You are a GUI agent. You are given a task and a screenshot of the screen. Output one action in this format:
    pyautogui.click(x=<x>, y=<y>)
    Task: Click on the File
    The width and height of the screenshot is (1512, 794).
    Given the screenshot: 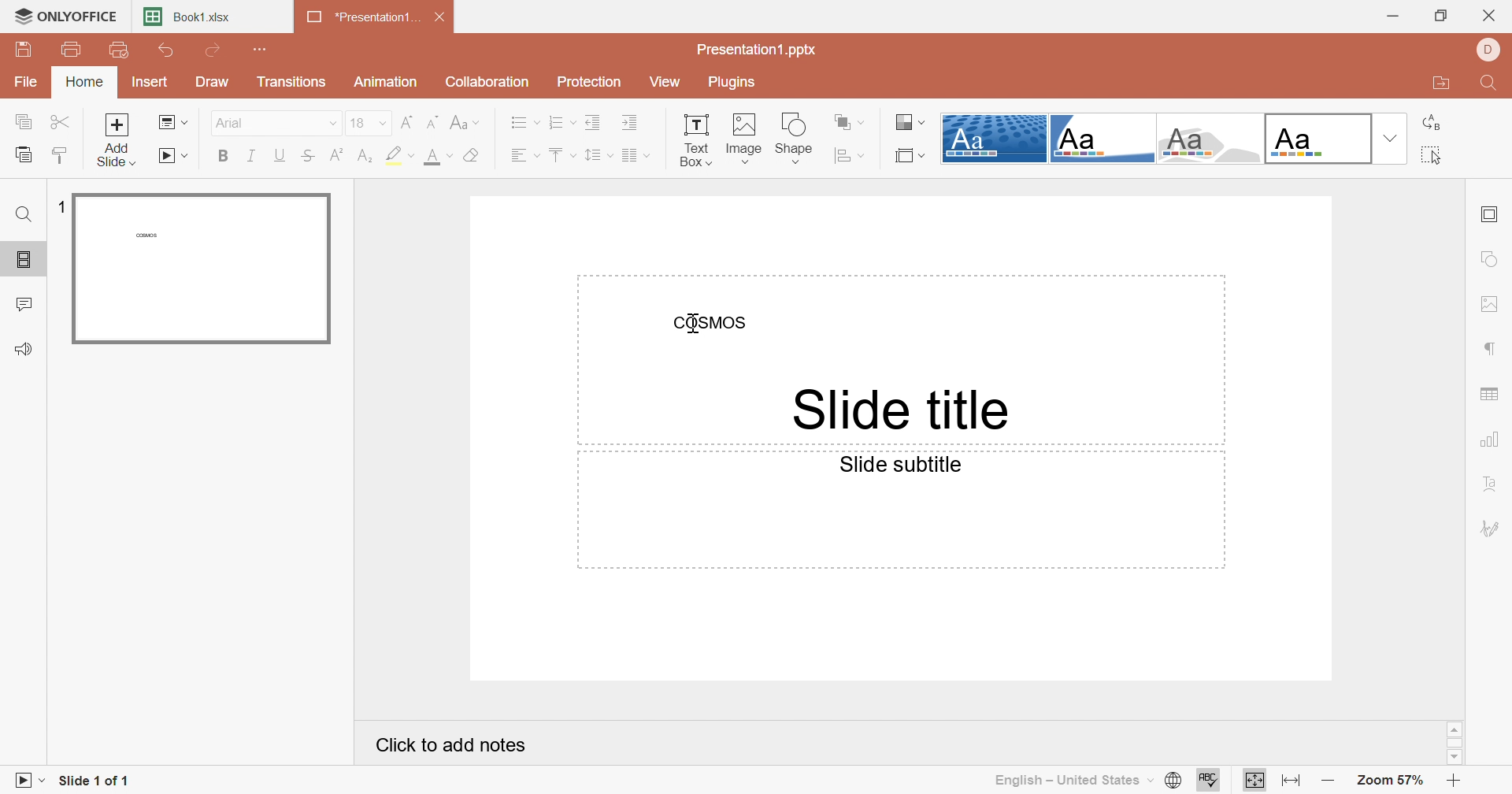 What is the action you would take?
    pyautogui.click(x=27, y=82)
    